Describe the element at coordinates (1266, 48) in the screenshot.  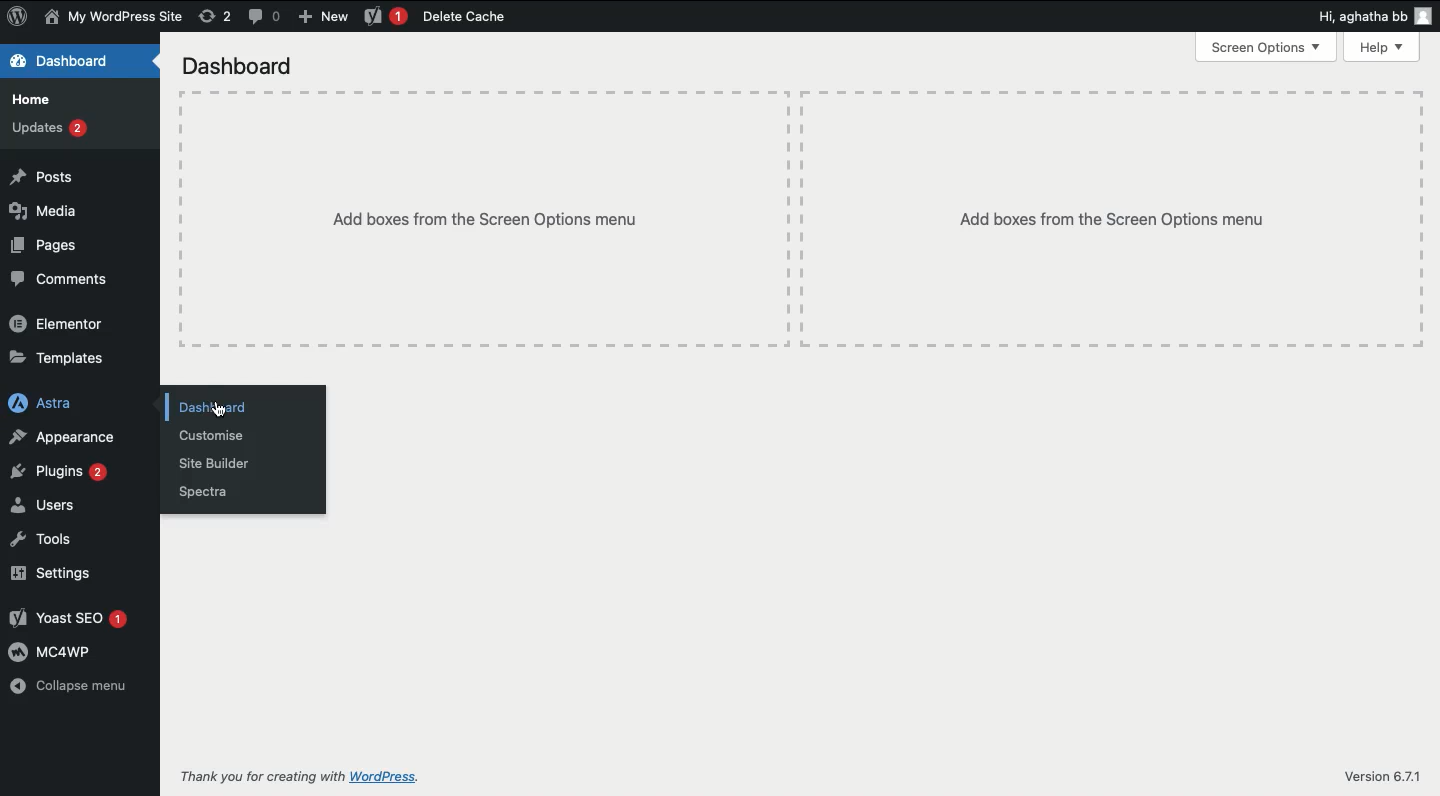
I see `screen options` at that location.